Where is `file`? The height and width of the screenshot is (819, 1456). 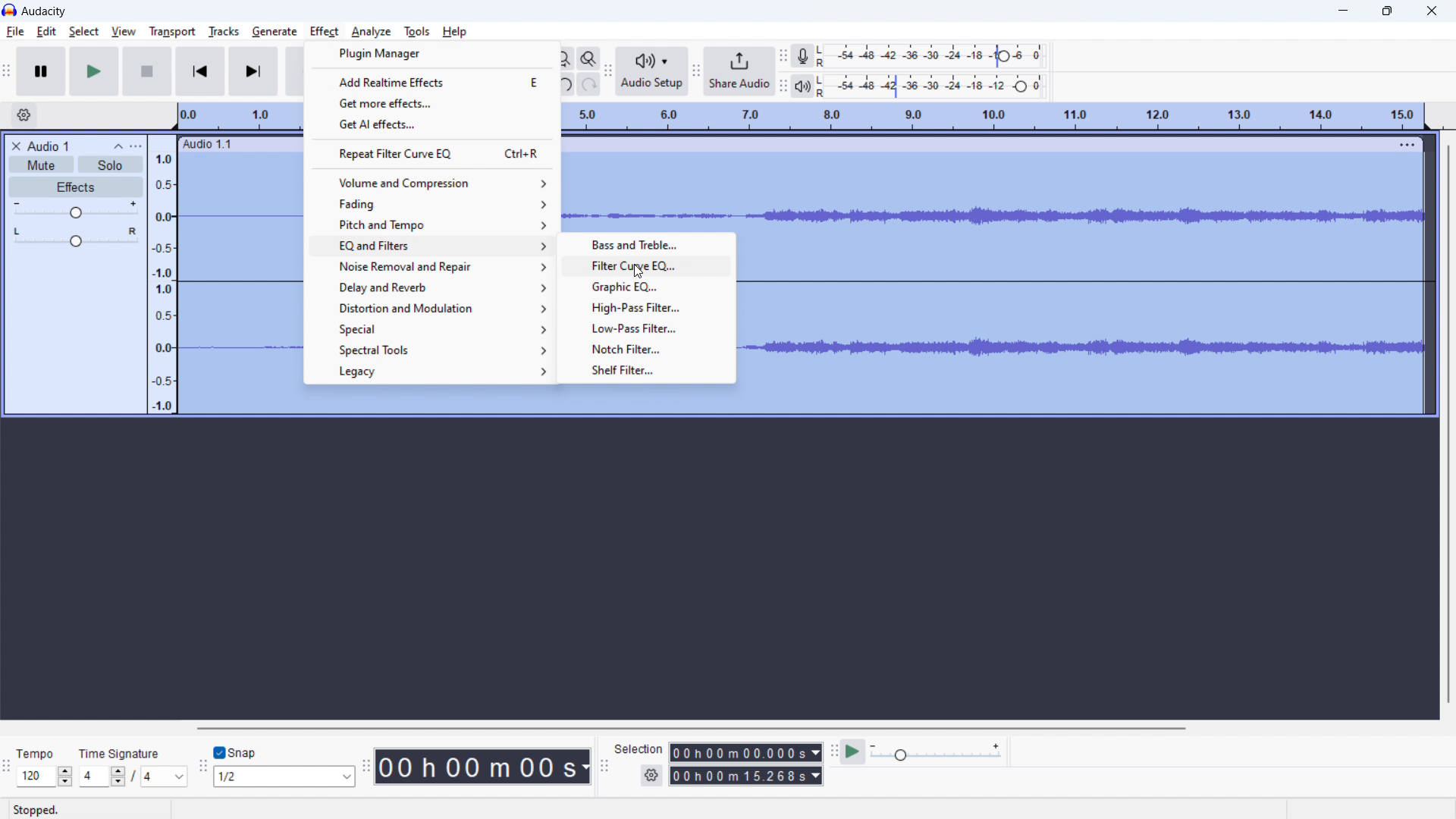 file is located at coordinates (16, 32).